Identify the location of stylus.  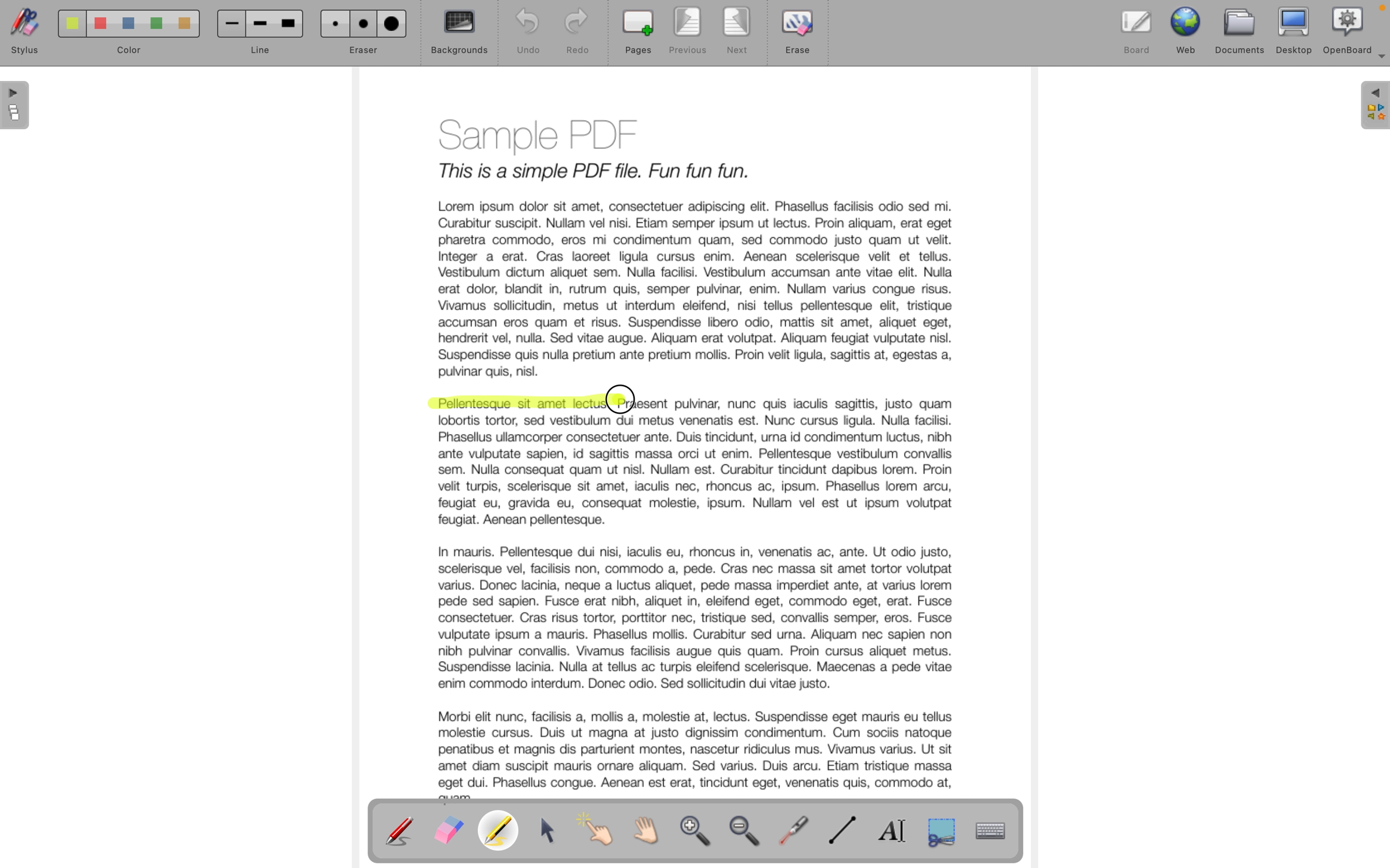
(22, 34).